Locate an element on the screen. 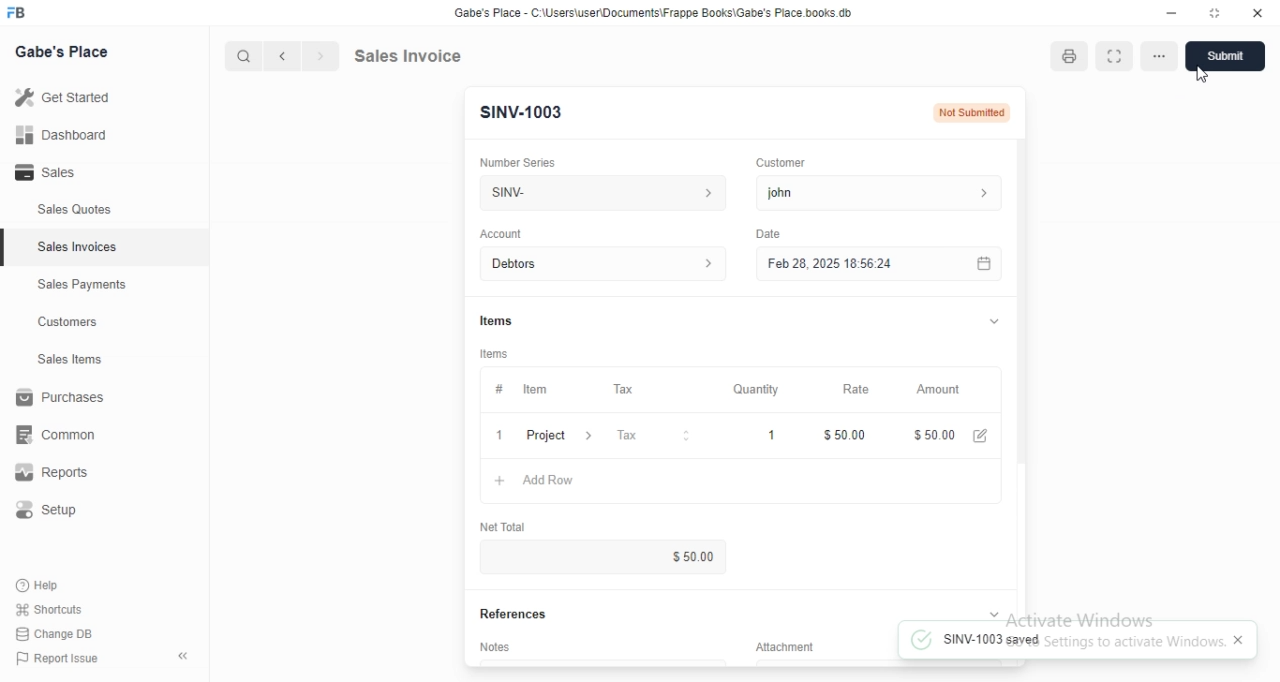 This screenshot has width=1280, height=682. Feb 28, 2025 18:56:24. is located at coordinates (875, 262).